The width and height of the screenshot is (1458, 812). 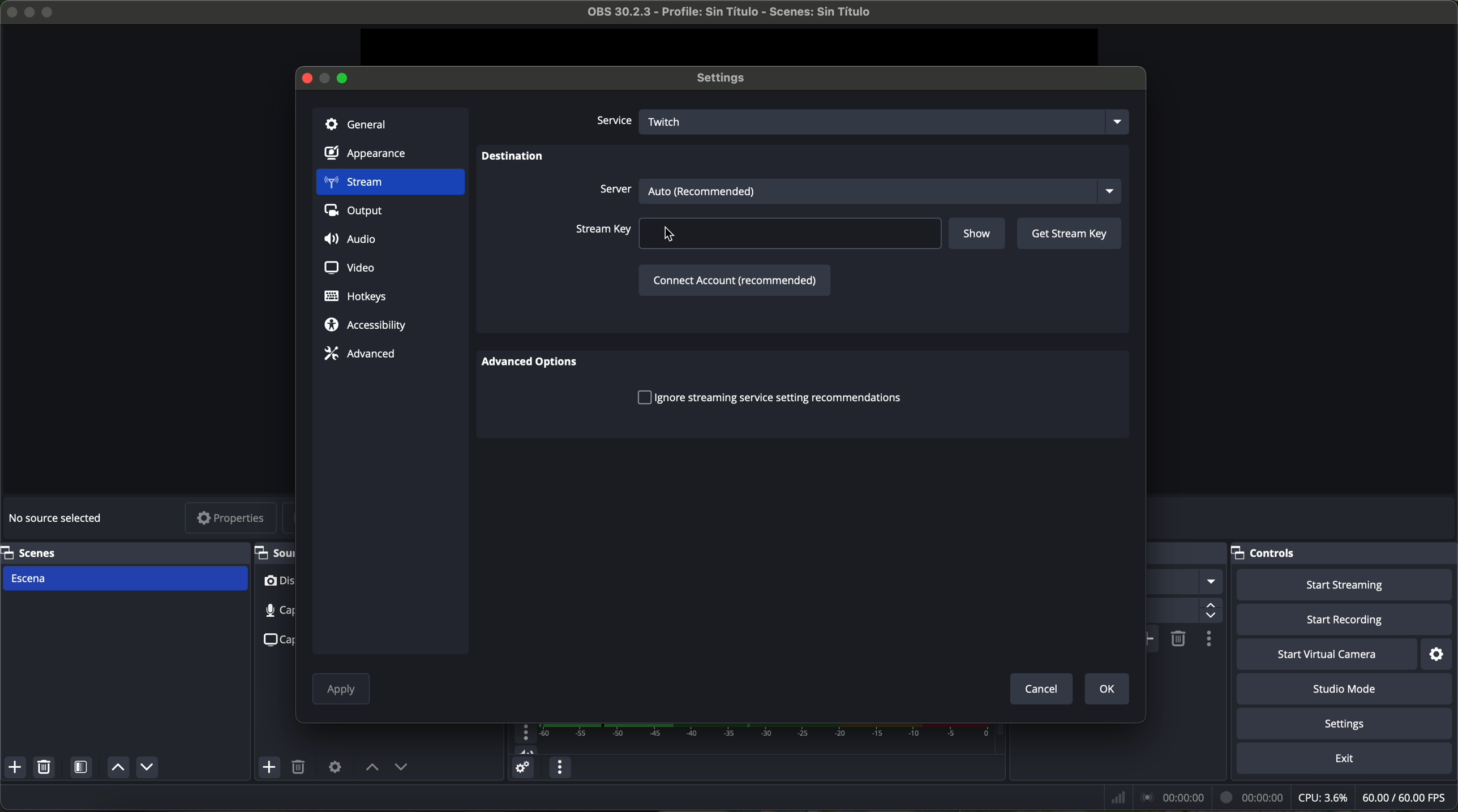 I want to click on start virtual camera, so click(x=1327, y=655).